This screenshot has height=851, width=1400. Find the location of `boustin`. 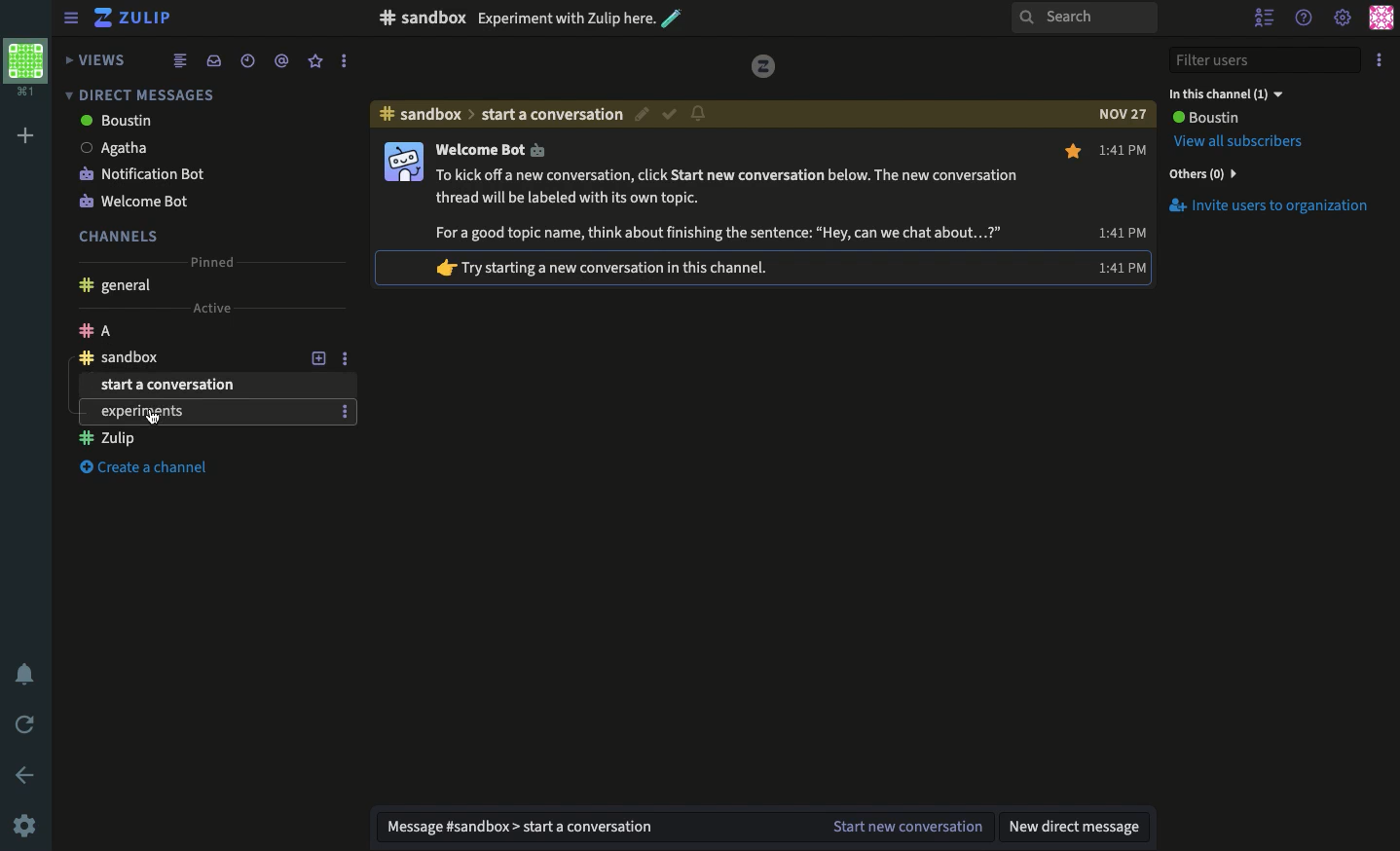

boustin is located at coordinates (182, 122).